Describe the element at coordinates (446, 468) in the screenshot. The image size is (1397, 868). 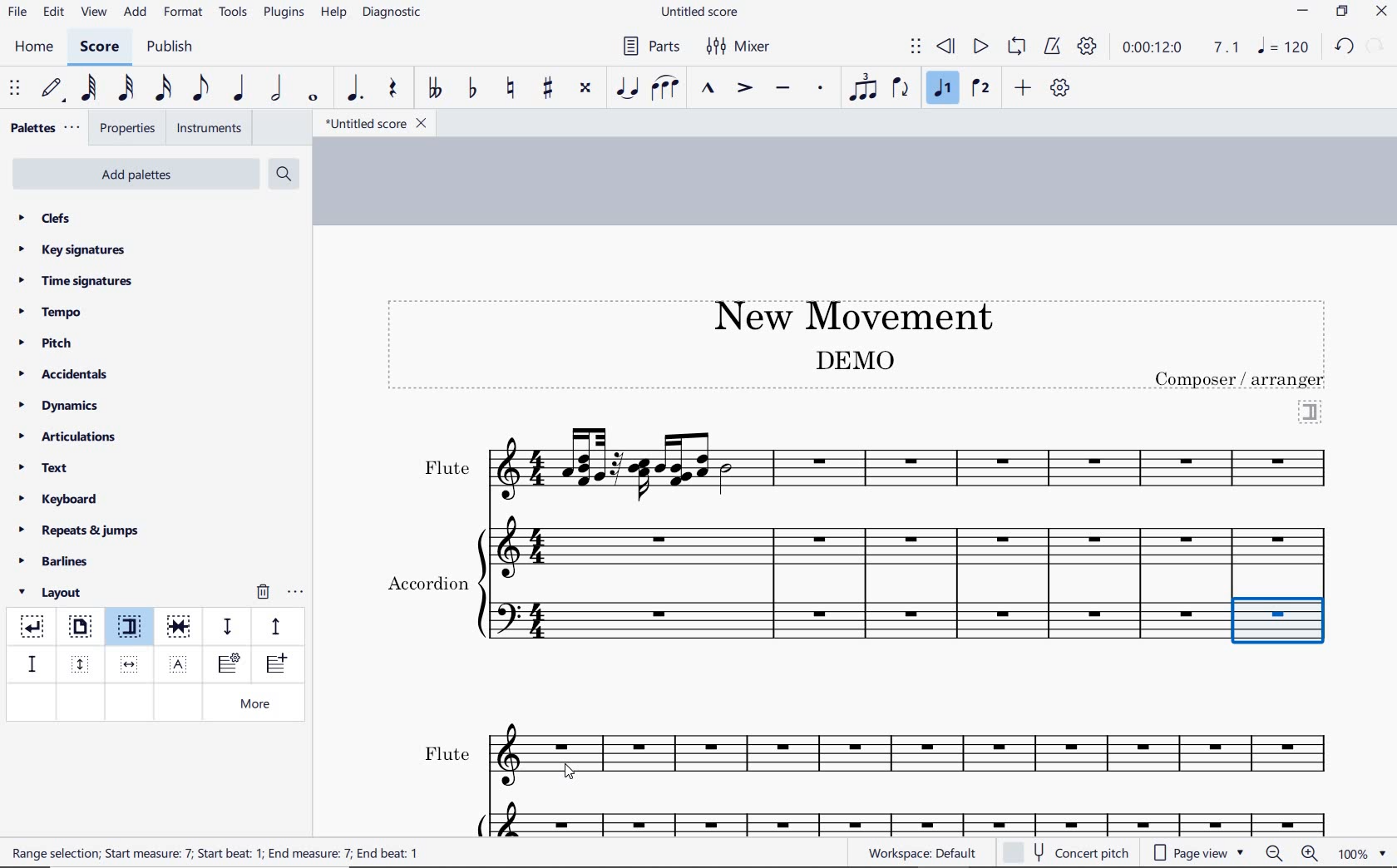
I see `text` at that location.